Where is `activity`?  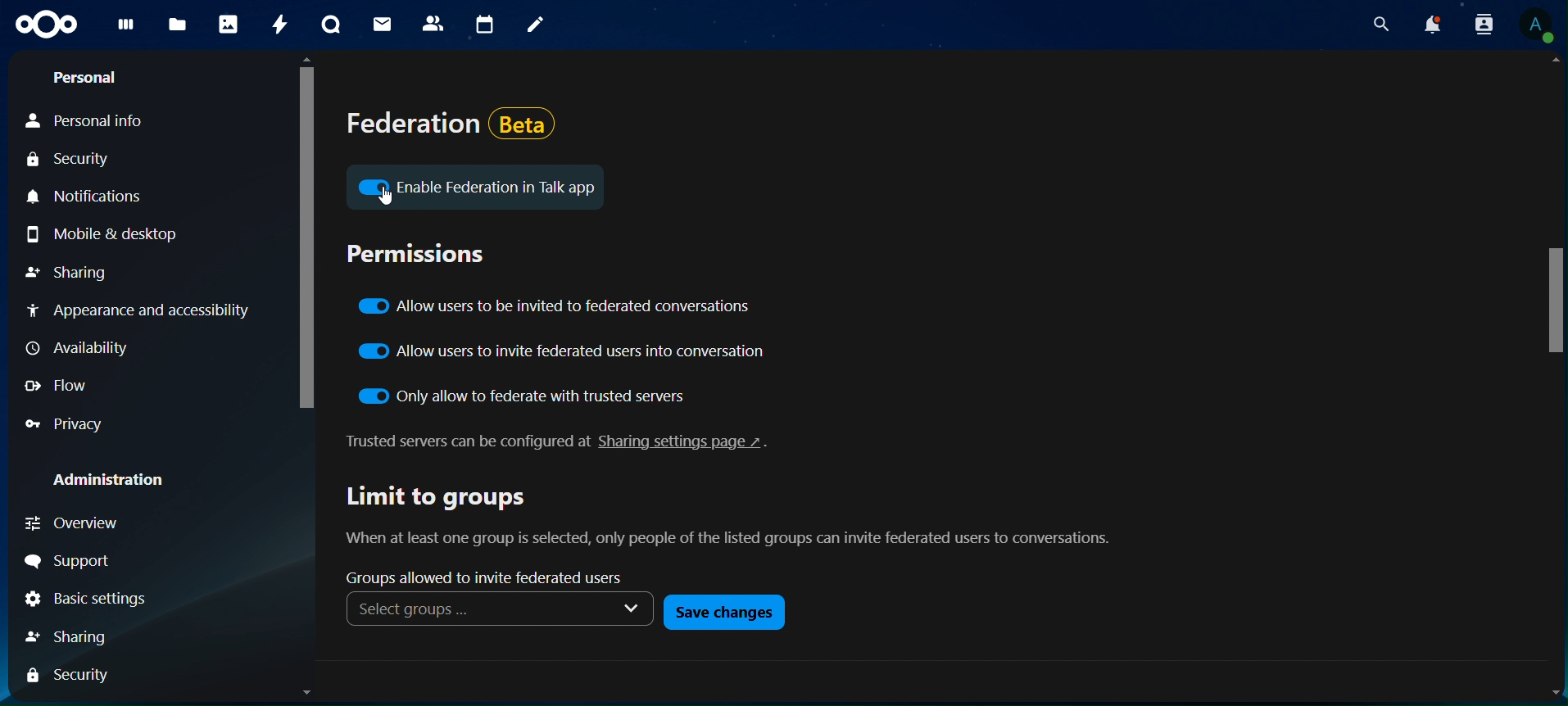
activity is located at coordinates (279, 24).